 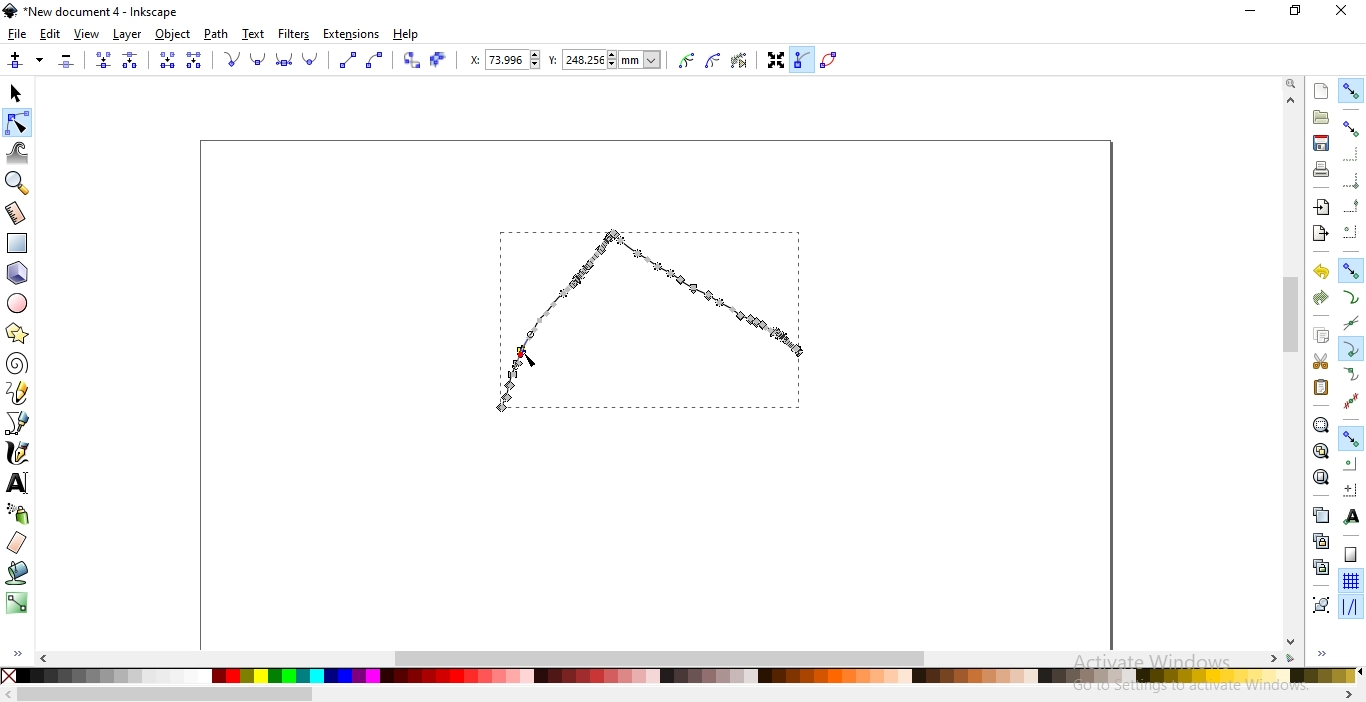 What do you see at coordinates (437, 60) in the screenshot?
I see `convert selected objects strokes to paths` at bounding box center [437, 60].